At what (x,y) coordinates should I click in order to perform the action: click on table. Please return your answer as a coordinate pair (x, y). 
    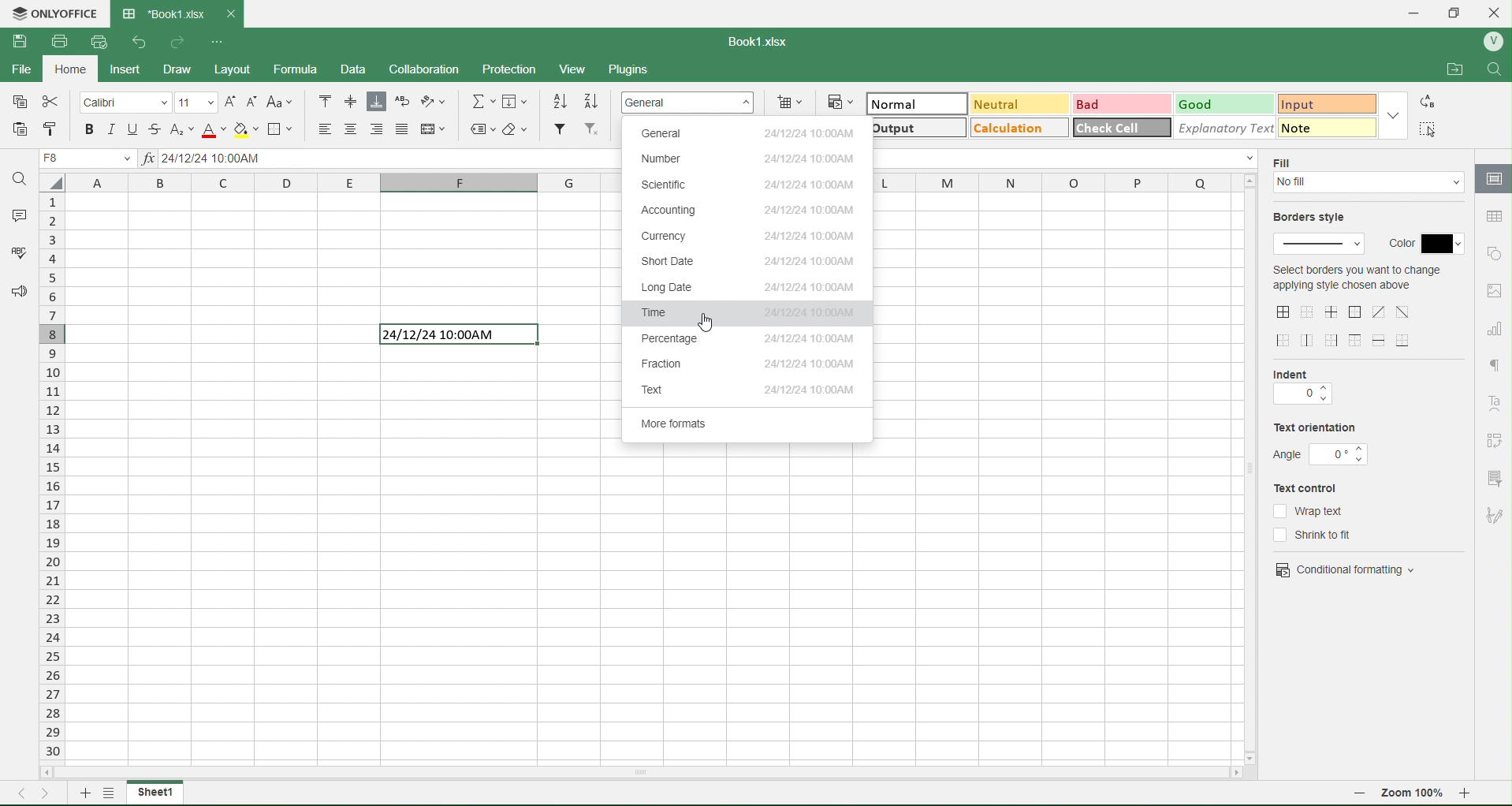
    Looking at the image, I should click on (1492, 216).